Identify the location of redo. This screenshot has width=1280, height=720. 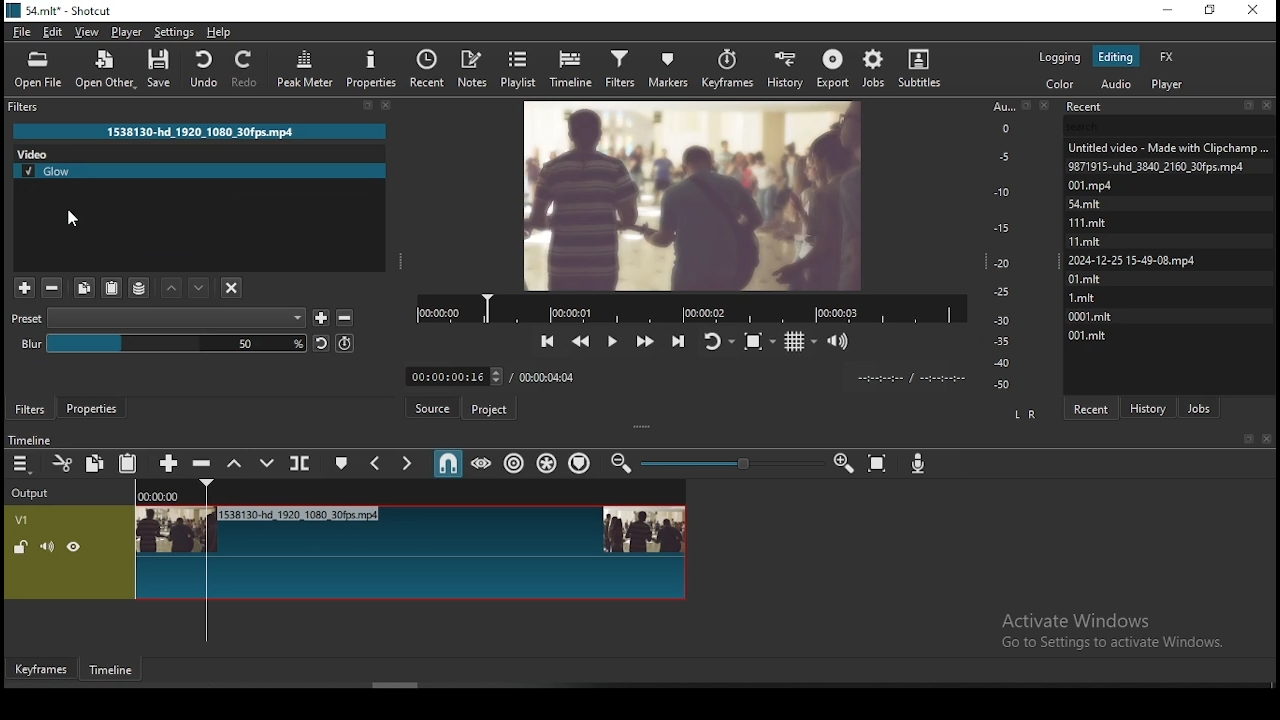
(246, 68).